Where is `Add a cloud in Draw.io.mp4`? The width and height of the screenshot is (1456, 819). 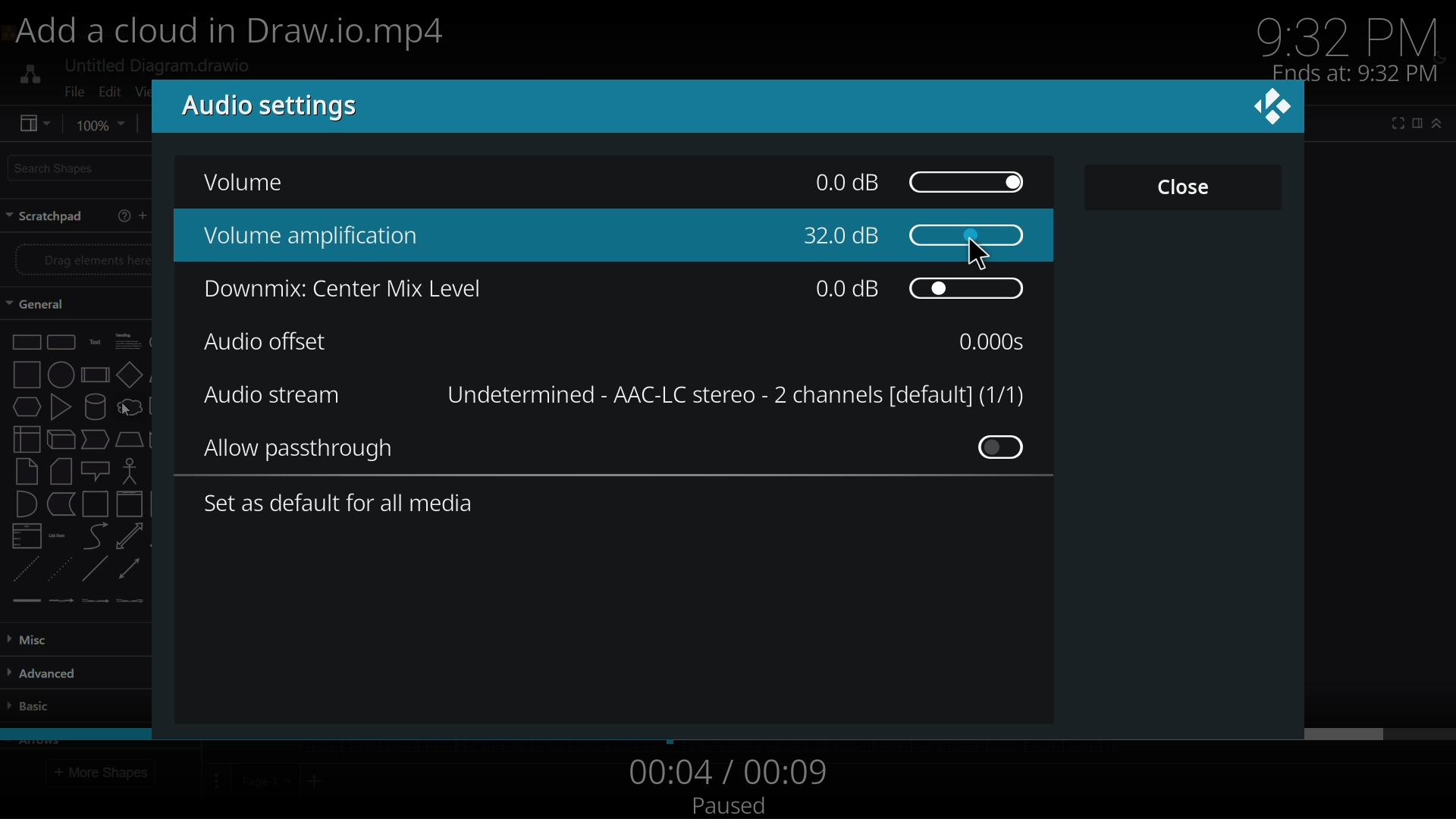 Add a cloud in Draw.io.mp4 is located at coordinates (246, 35).